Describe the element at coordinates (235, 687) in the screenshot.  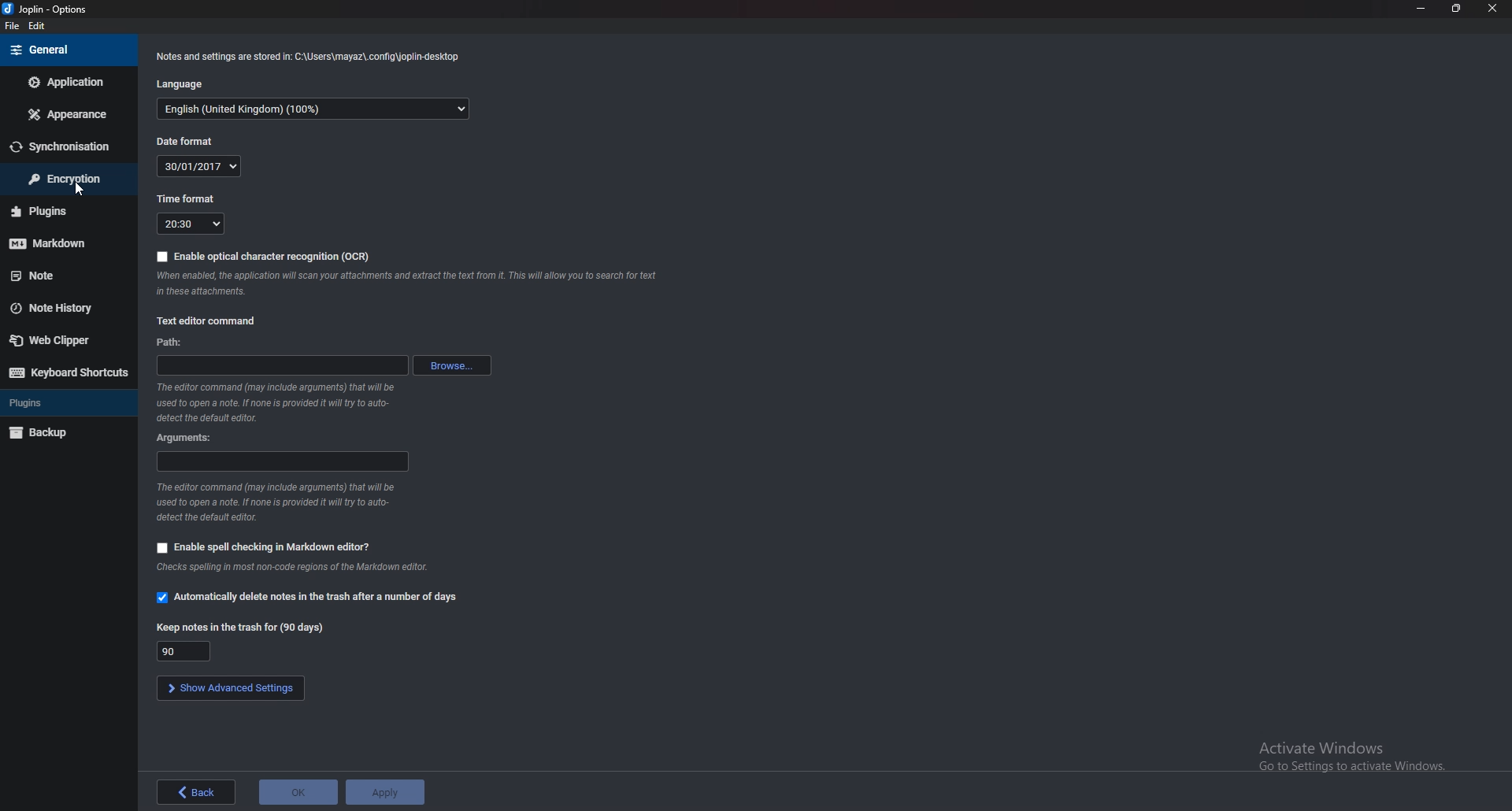
I see `show advanced settings` at that location.